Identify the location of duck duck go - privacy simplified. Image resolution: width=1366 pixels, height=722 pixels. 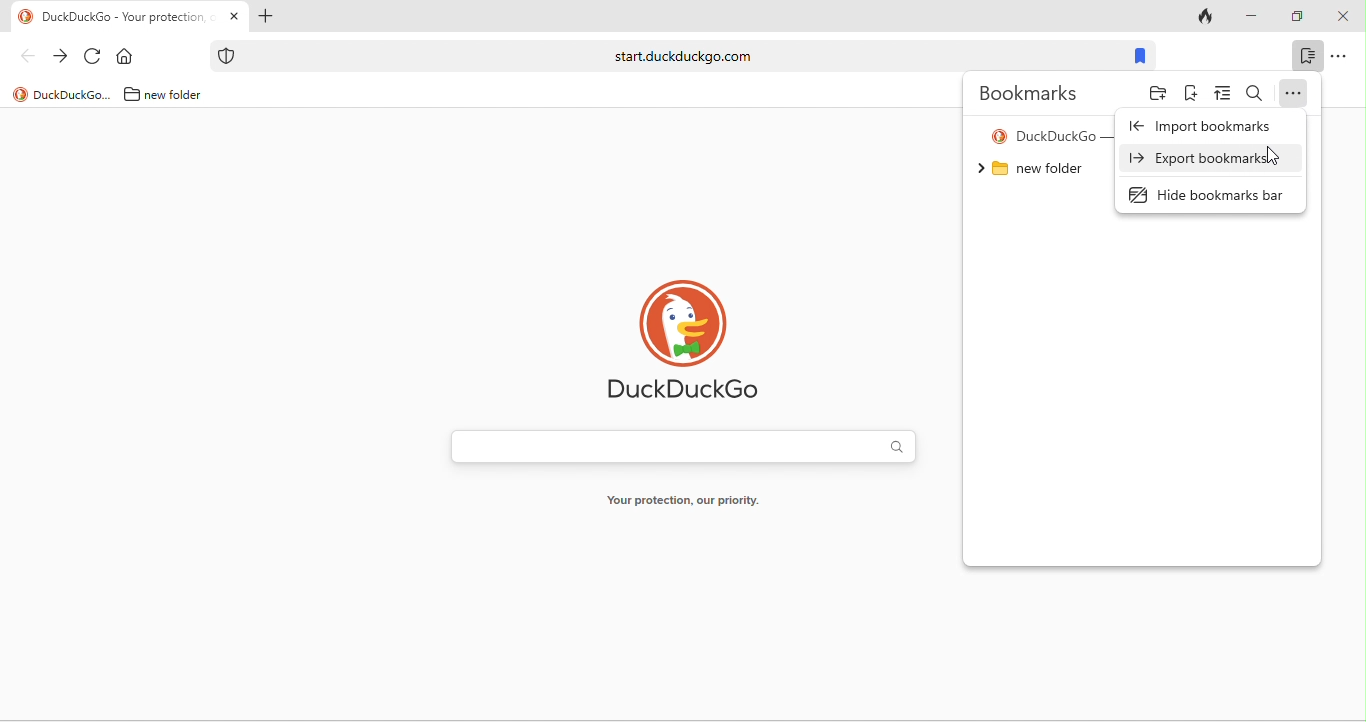
(1048, 137).